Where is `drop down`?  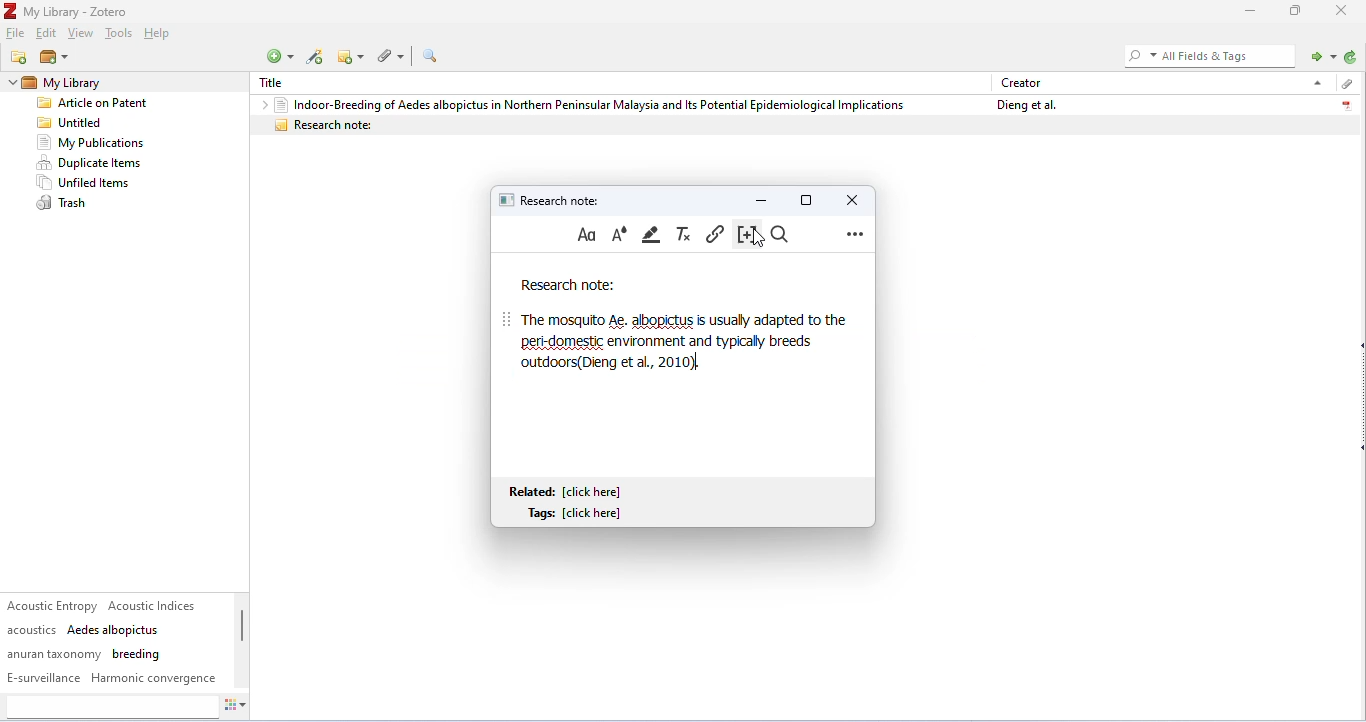 drop down is located at coordinates (1315, 82).